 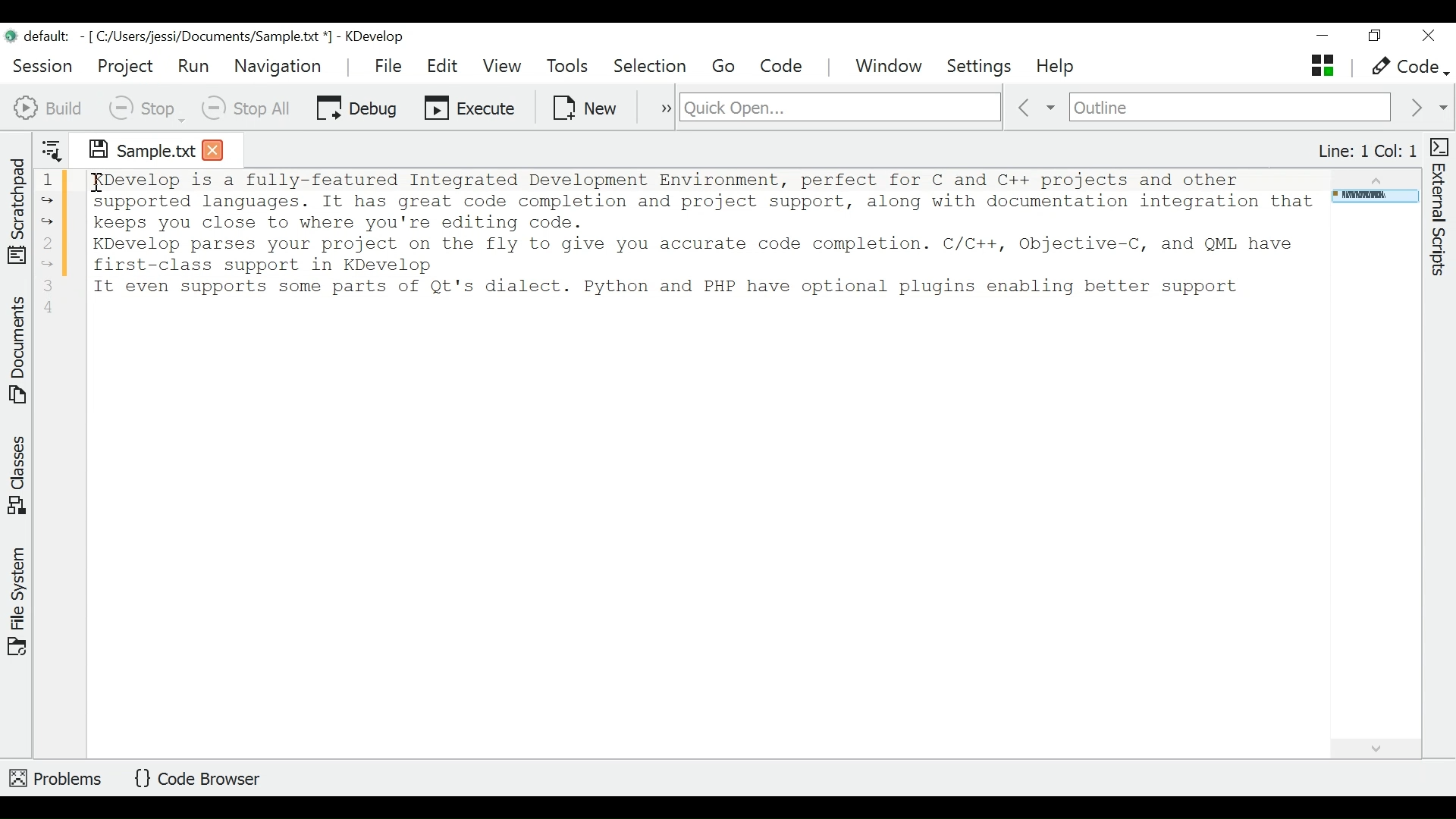 What do you see at coordinates (586, 106) in the screenshot?
I see `New` at bounding box center [586, 106].